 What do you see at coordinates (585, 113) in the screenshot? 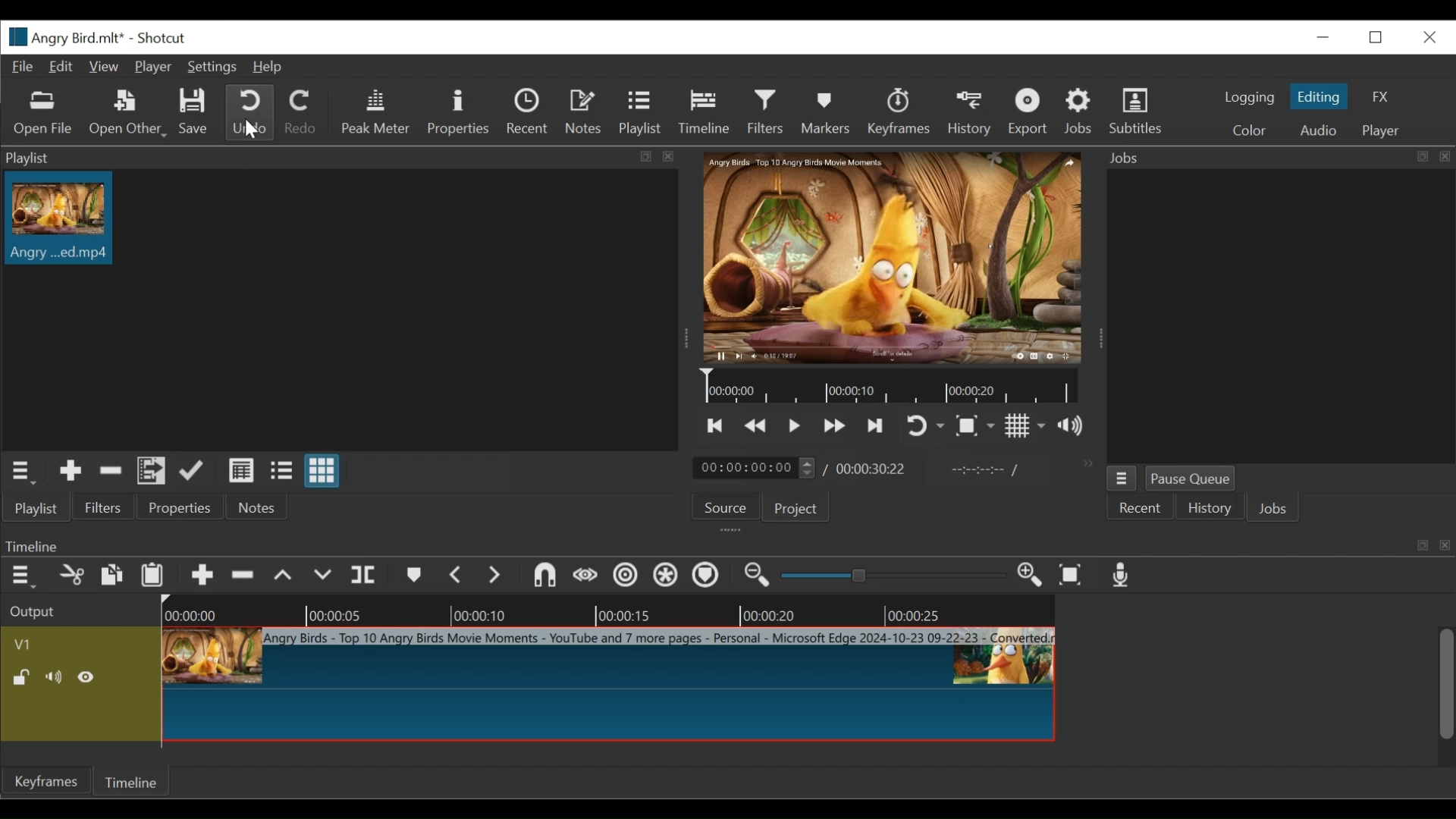
I see `Notes` at bounding box center [585, 113].